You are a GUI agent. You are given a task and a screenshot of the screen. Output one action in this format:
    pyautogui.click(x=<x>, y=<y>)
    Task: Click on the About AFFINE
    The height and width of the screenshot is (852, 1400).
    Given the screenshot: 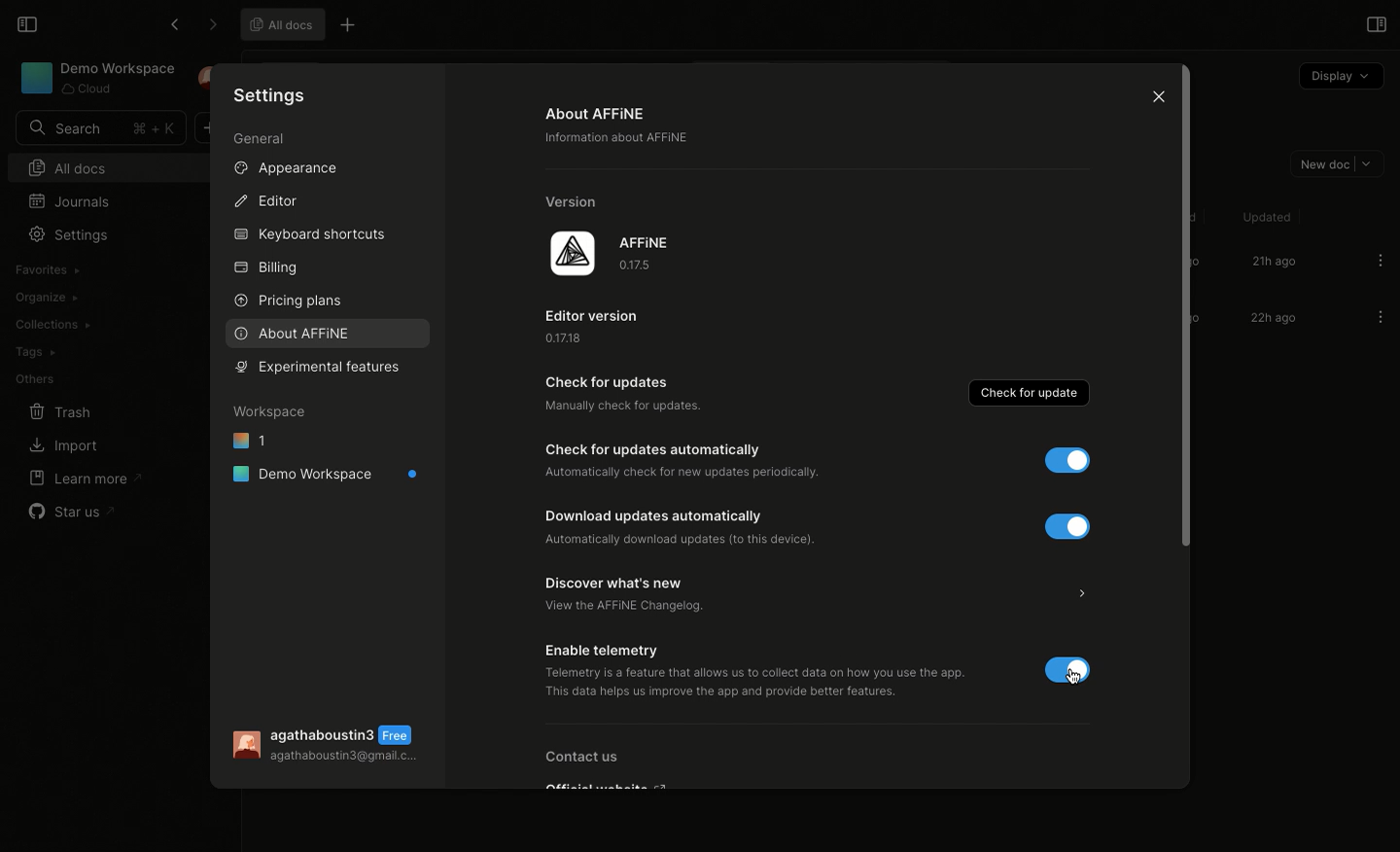 What is the action you would take?
    pyautogui.click(x=624, y=129)
    